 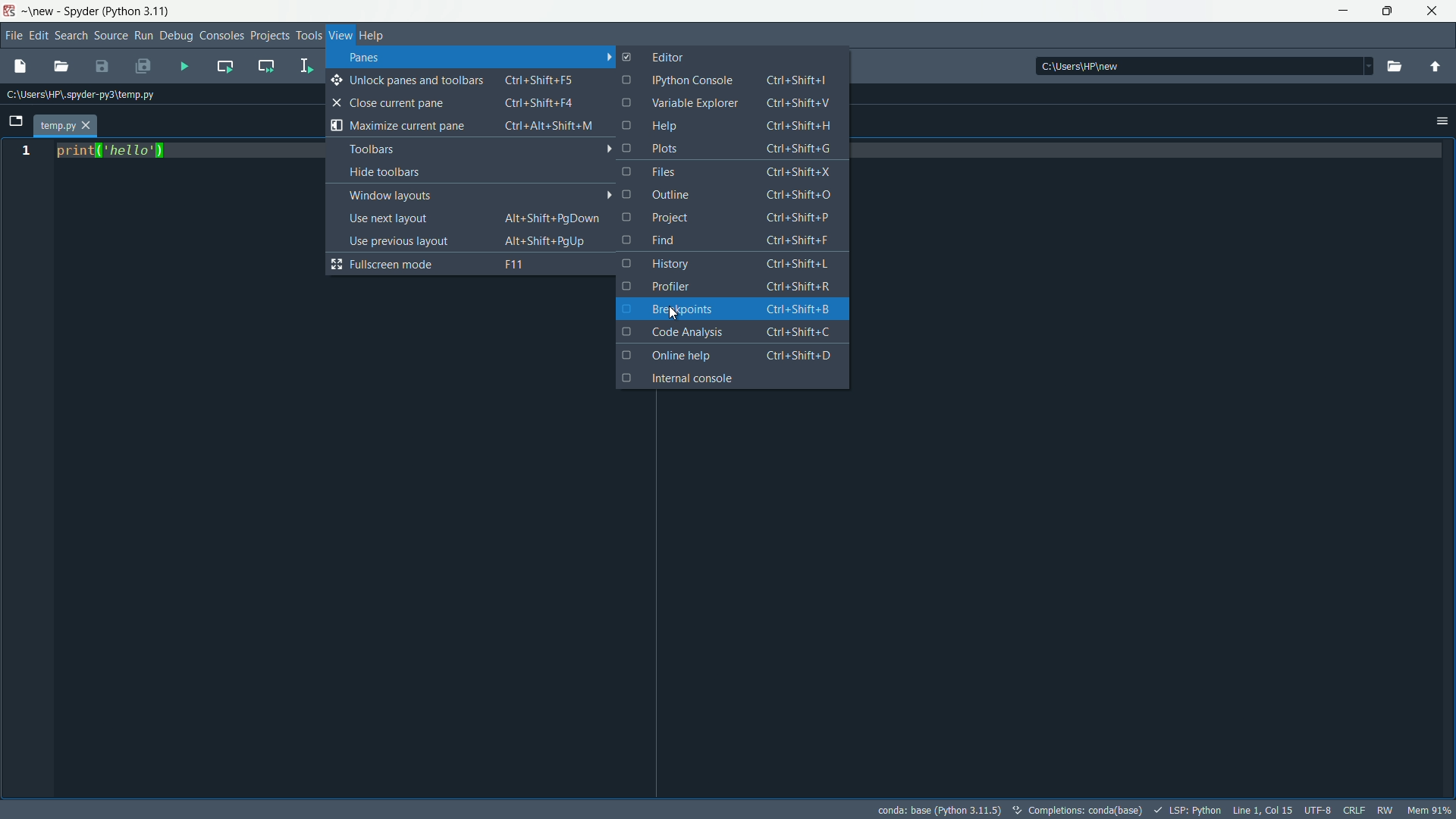 What do you see at coordinates (17, 121) in the screenshot?
I see `browse tabs` at bounding box center [17, 121].